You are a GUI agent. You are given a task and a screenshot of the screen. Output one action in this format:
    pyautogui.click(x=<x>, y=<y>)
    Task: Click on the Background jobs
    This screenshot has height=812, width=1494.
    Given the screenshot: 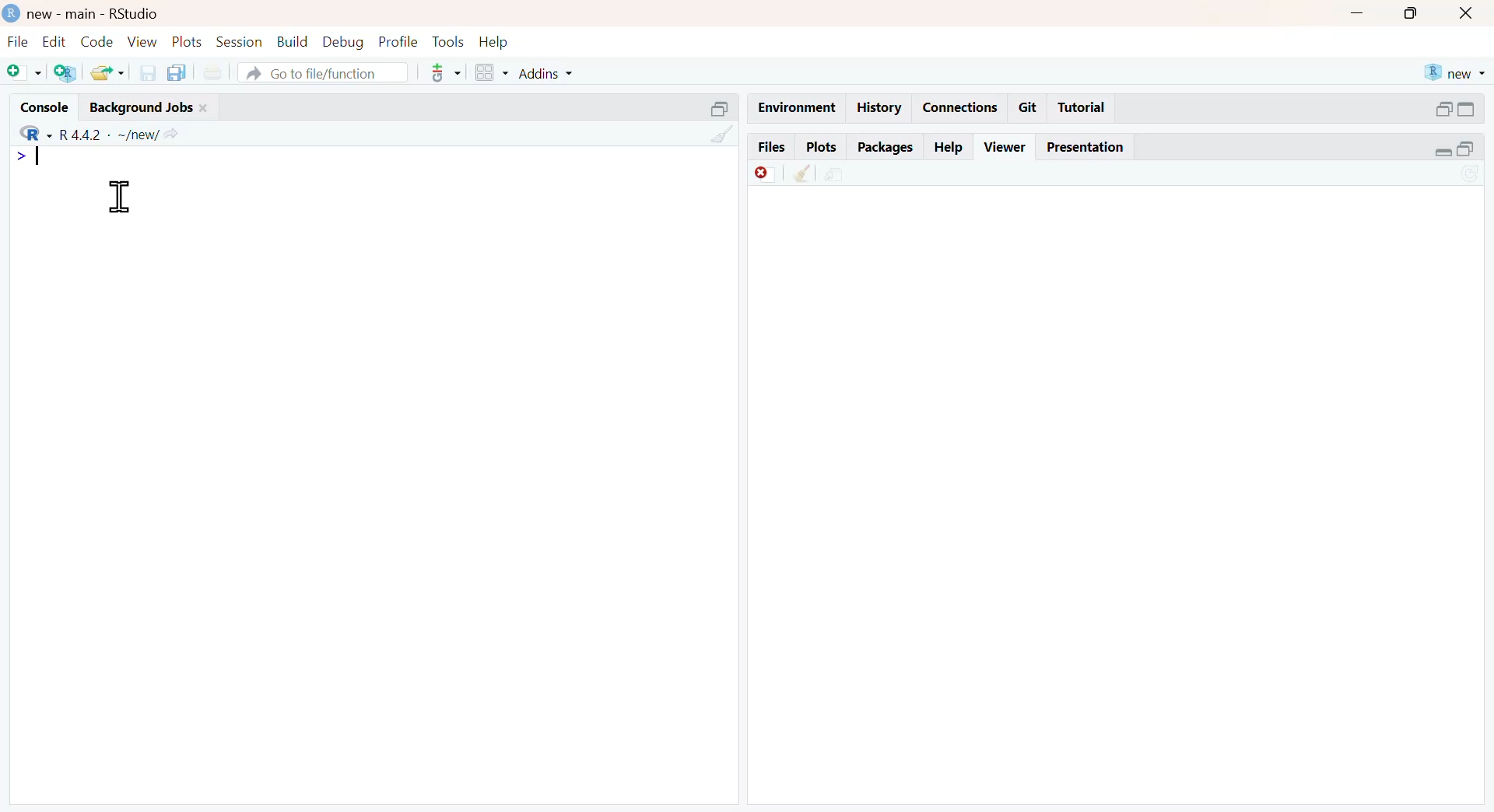 What is the action you would take?
    pyautogui.click(x=142, y=110)
    